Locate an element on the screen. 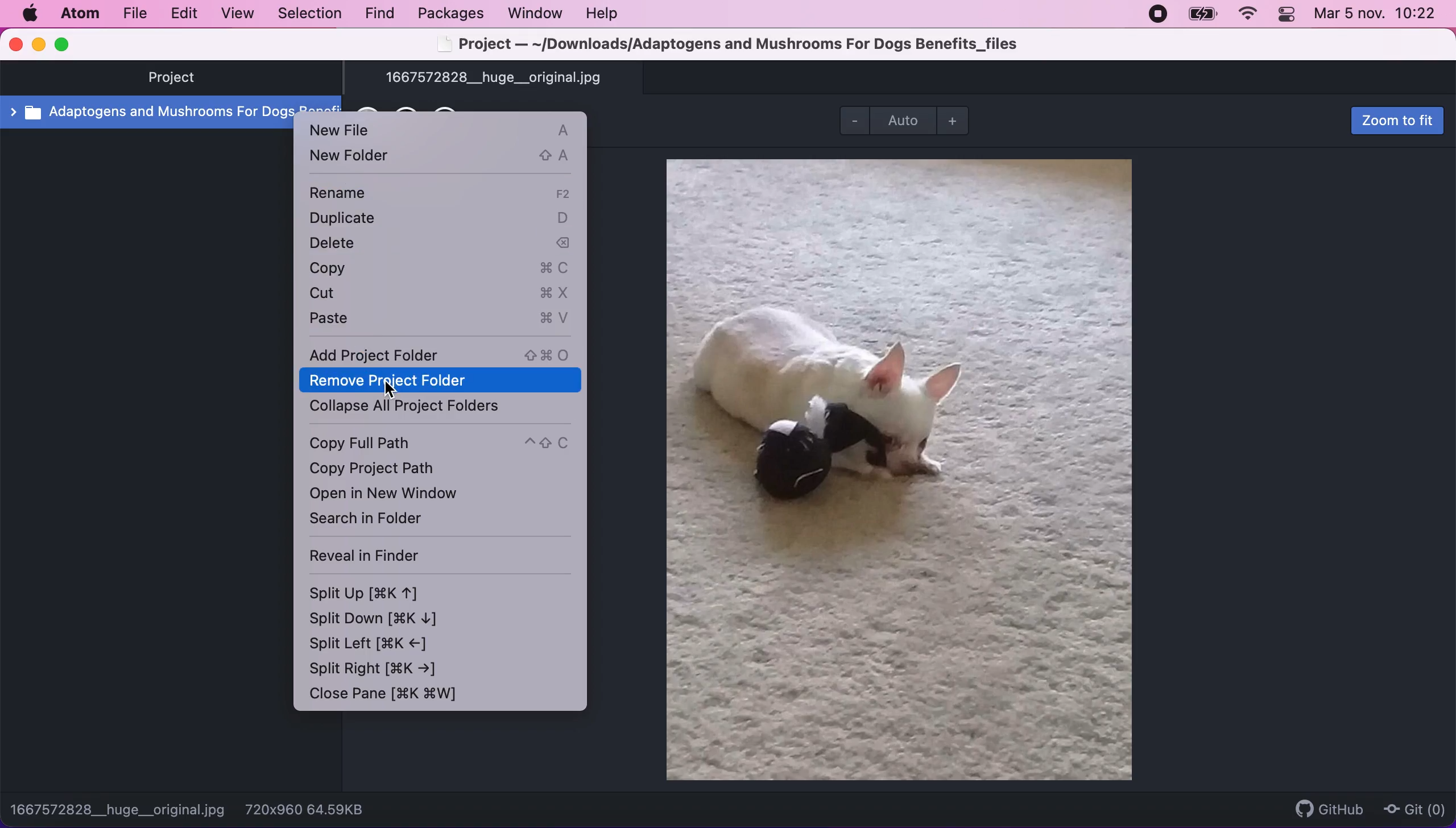 This screenshot has height=828, width=1456. atom is located at coordinates (79, 13).